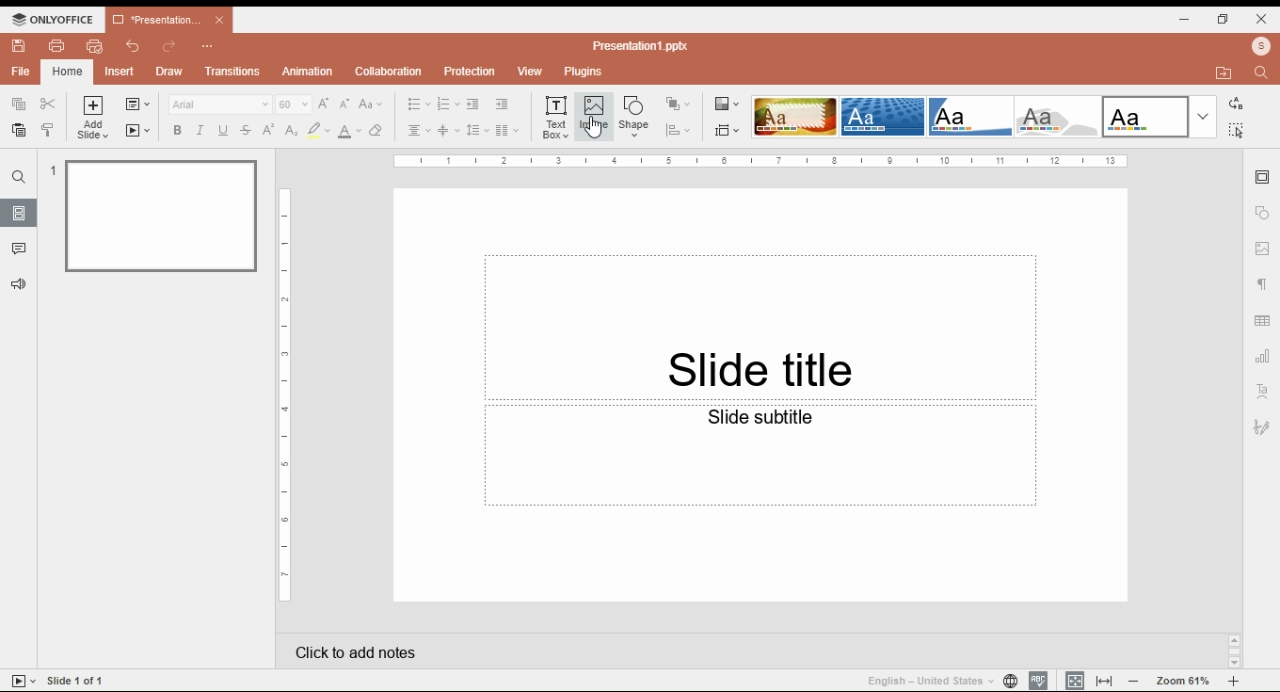  Describe the element at coordinates (269, 129) in the screenshot. I see `superscript` at that location.